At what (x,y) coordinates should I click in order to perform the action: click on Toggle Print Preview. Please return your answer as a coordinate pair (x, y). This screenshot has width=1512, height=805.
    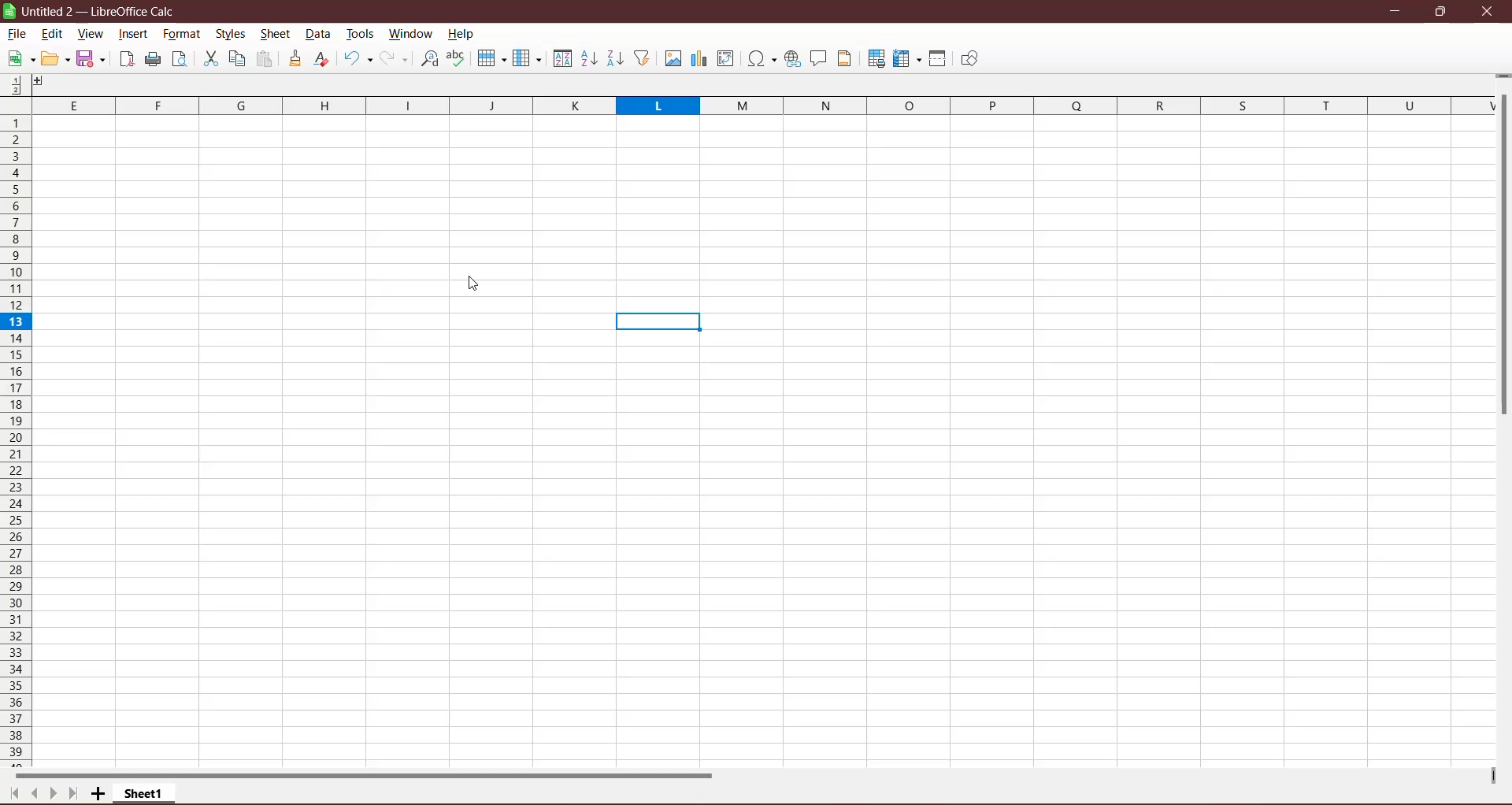
    Looking at the image, I should click on (182, 59).